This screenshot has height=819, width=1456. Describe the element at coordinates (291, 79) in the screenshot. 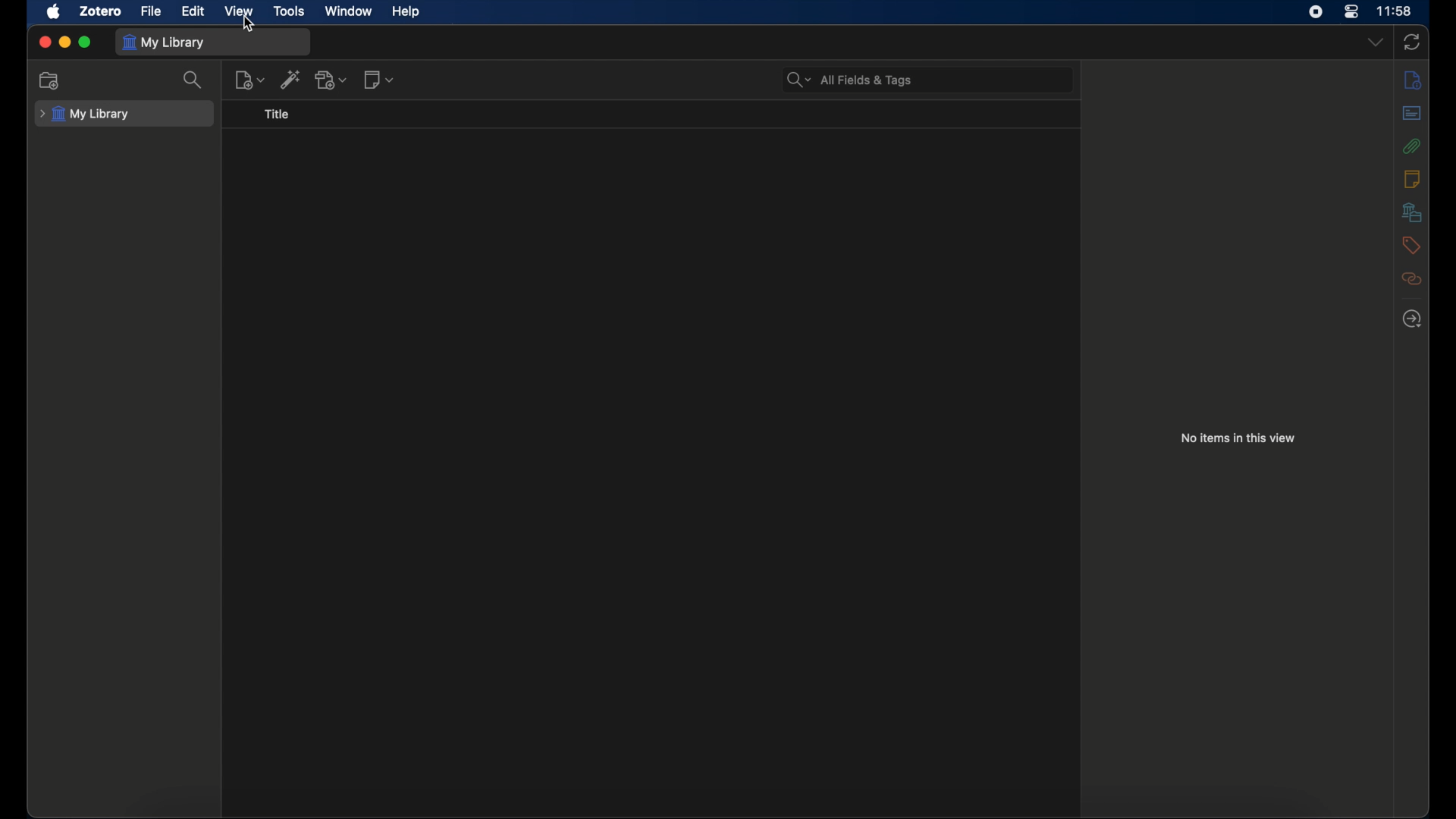

I see `add item by identifier` at that location.